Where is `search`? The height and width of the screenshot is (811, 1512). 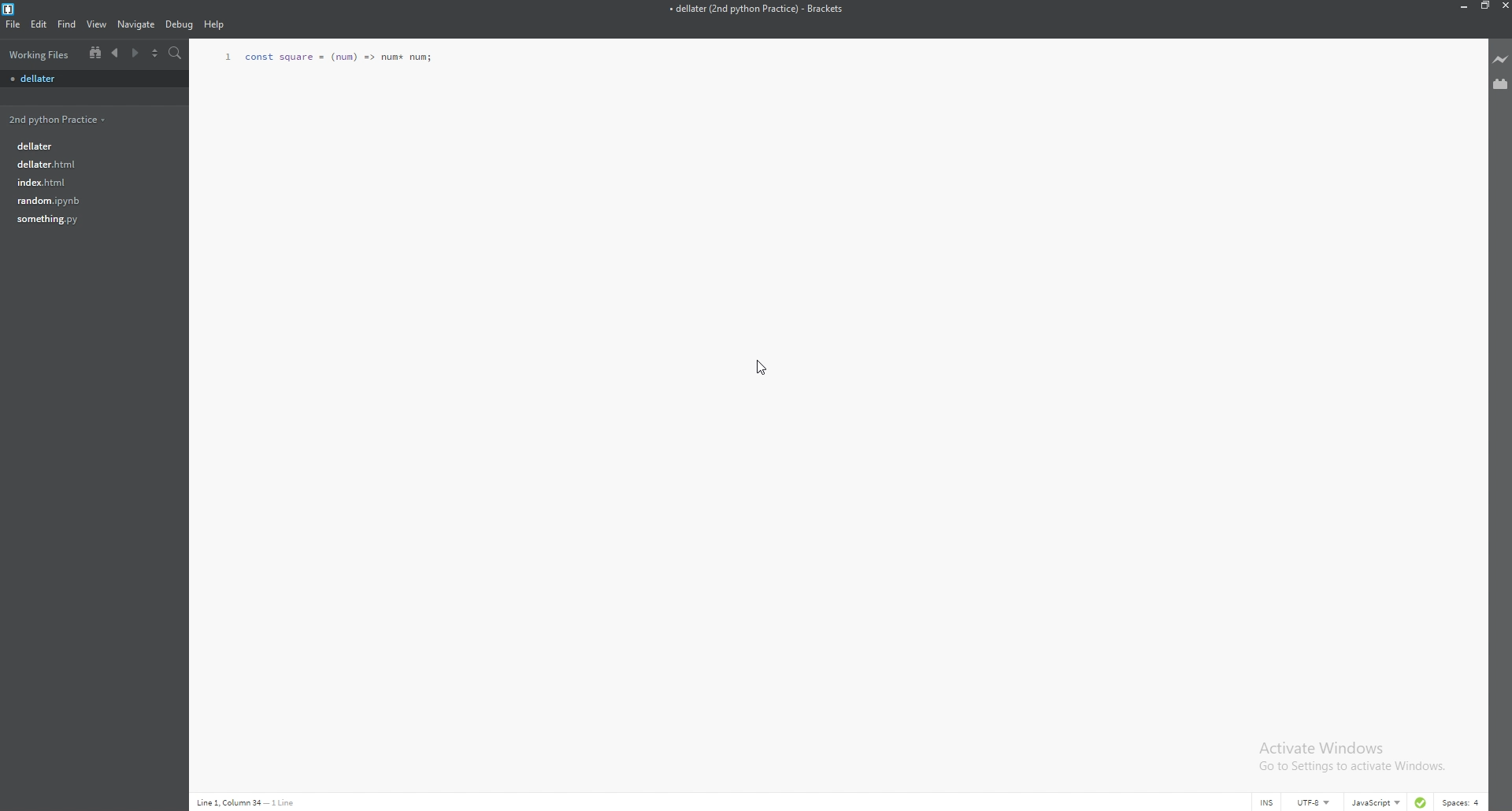
search is located at coordinates (175, 53).